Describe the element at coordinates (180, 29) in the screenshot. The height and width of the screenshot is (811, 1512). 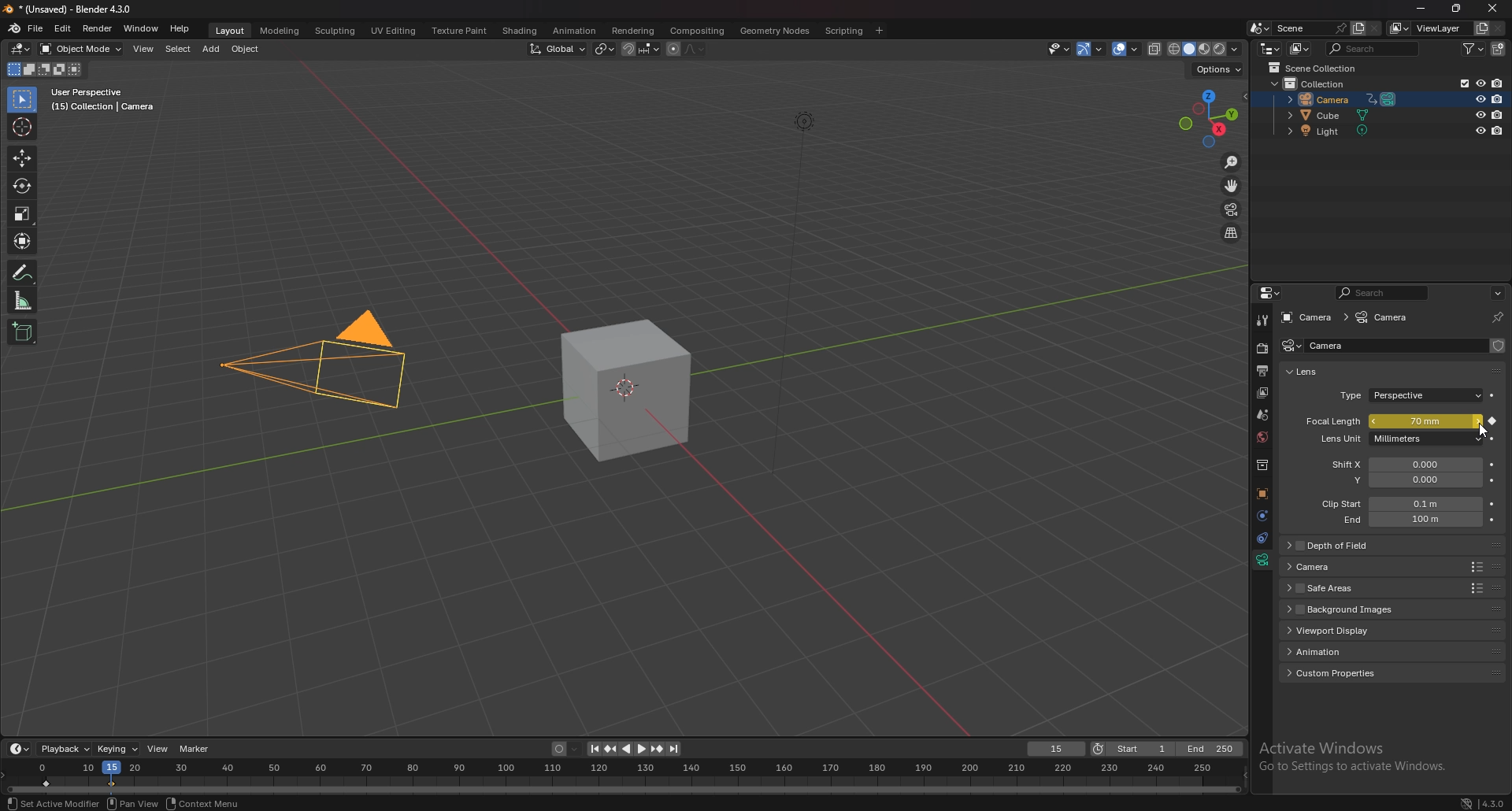
I see `help` at that location.